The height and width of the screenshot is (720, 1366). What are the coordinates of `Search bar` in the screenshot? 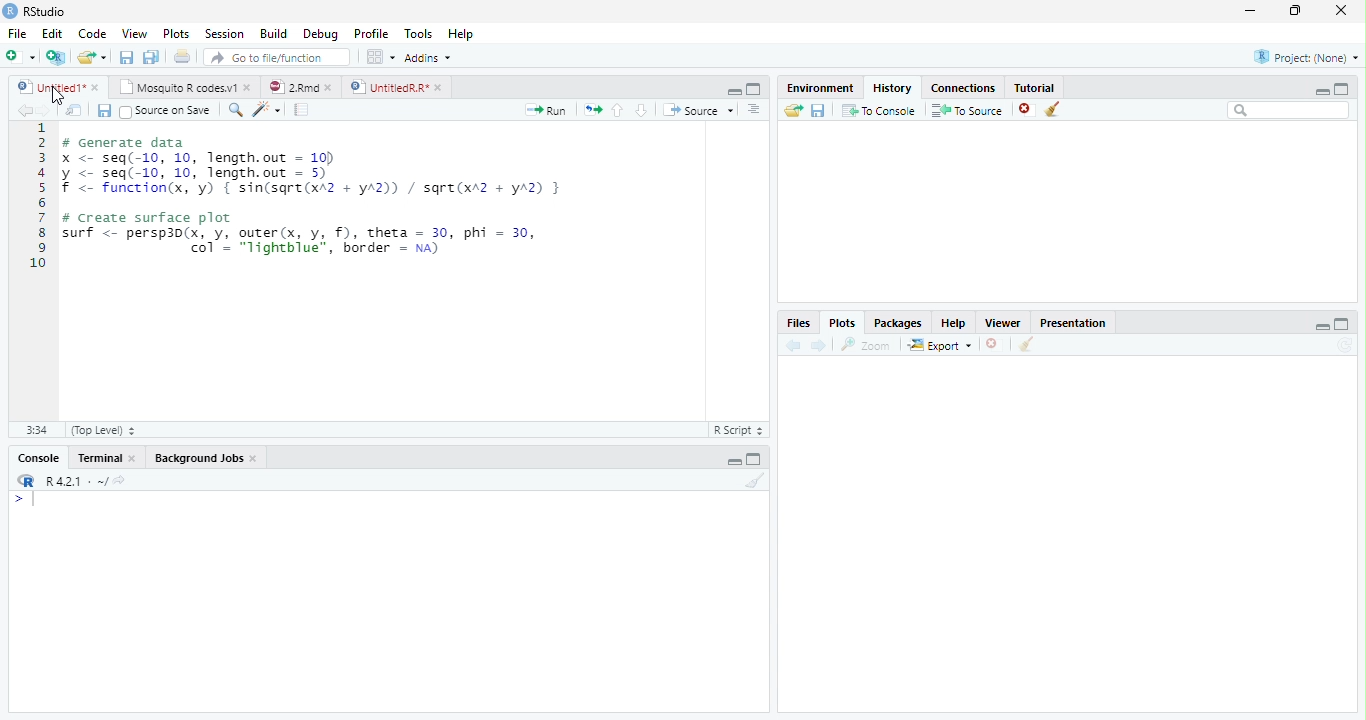 It's located at (1288, 110).